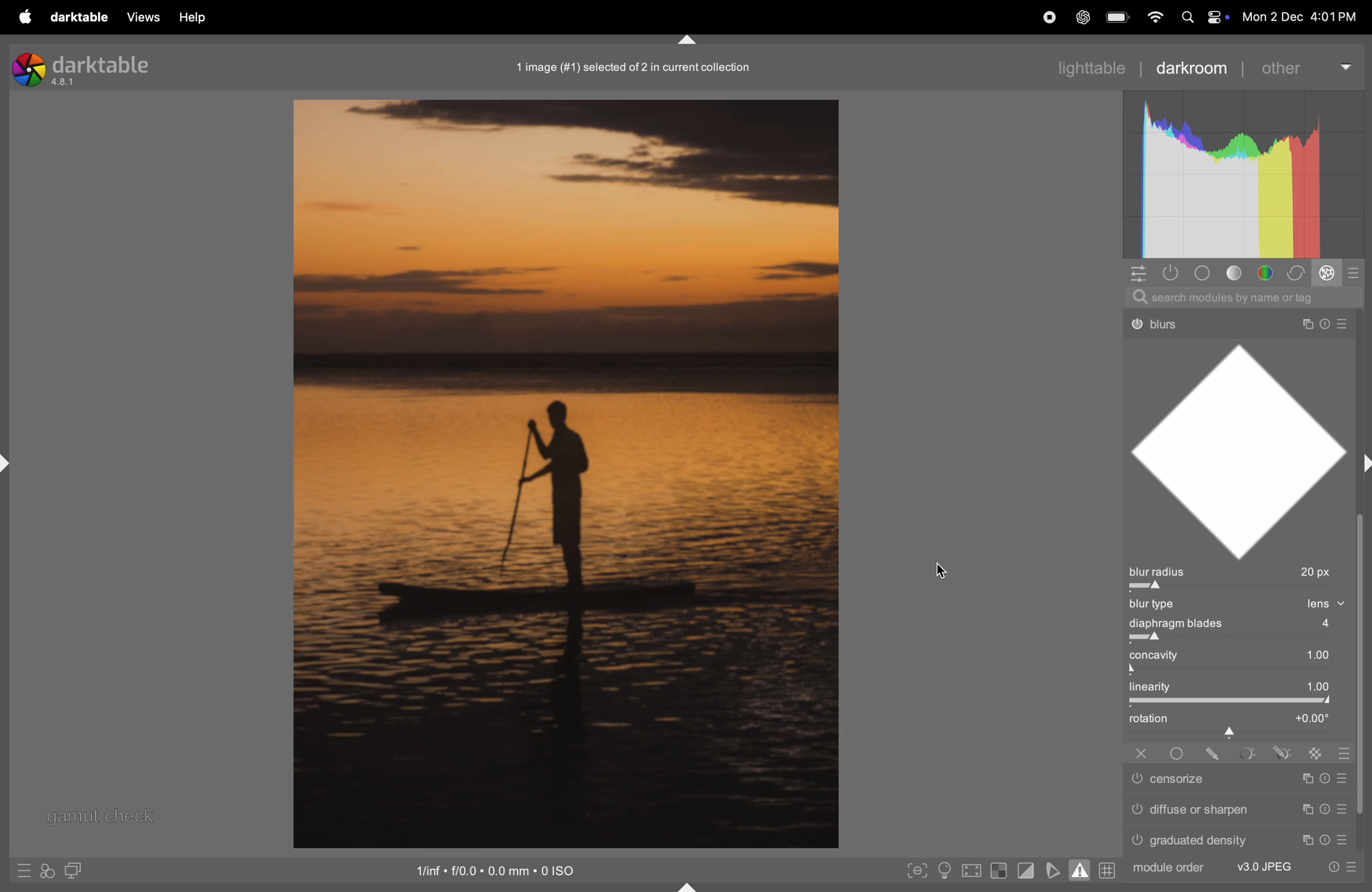 The height and width of the screenshot is (892, 1372). Describe the element at coordinates (1242, 839) in the screenshot. I see `` at that location.